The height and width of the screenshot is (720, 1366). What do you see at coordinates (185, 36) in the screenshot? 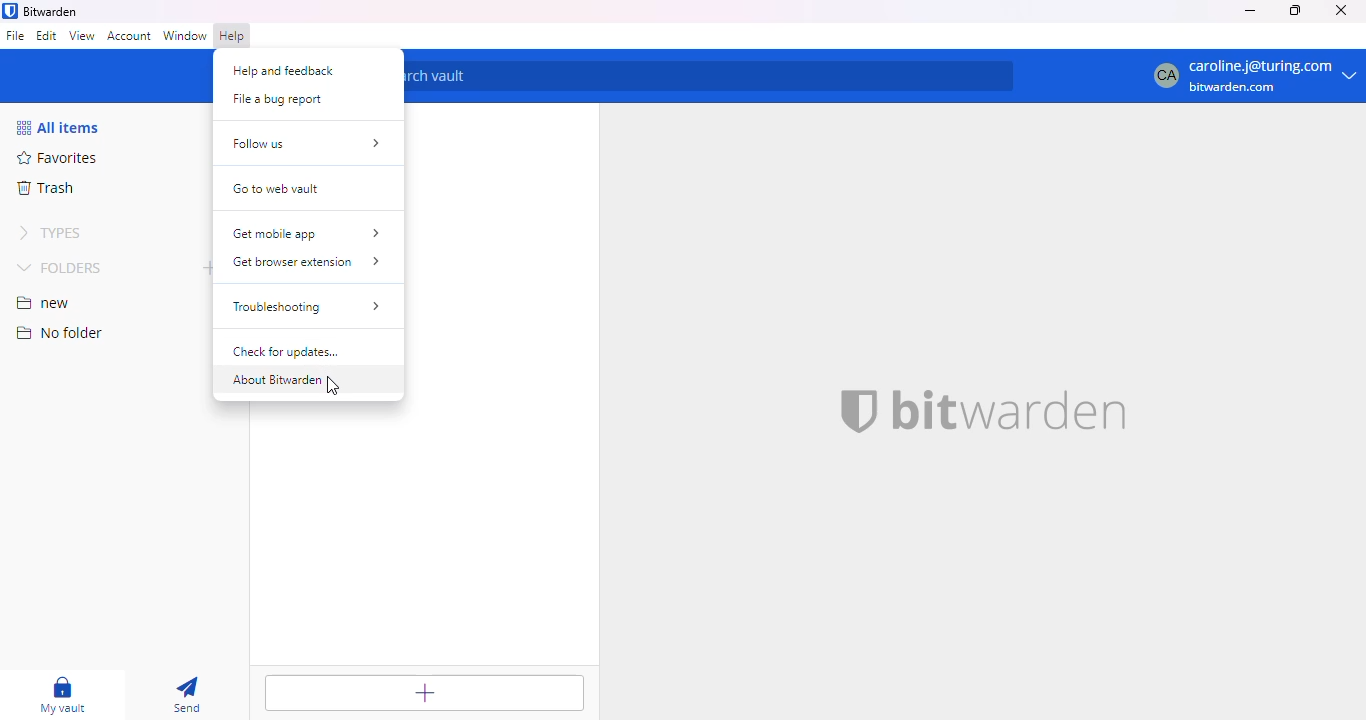
I see `window` at bounding box center [185, 36].